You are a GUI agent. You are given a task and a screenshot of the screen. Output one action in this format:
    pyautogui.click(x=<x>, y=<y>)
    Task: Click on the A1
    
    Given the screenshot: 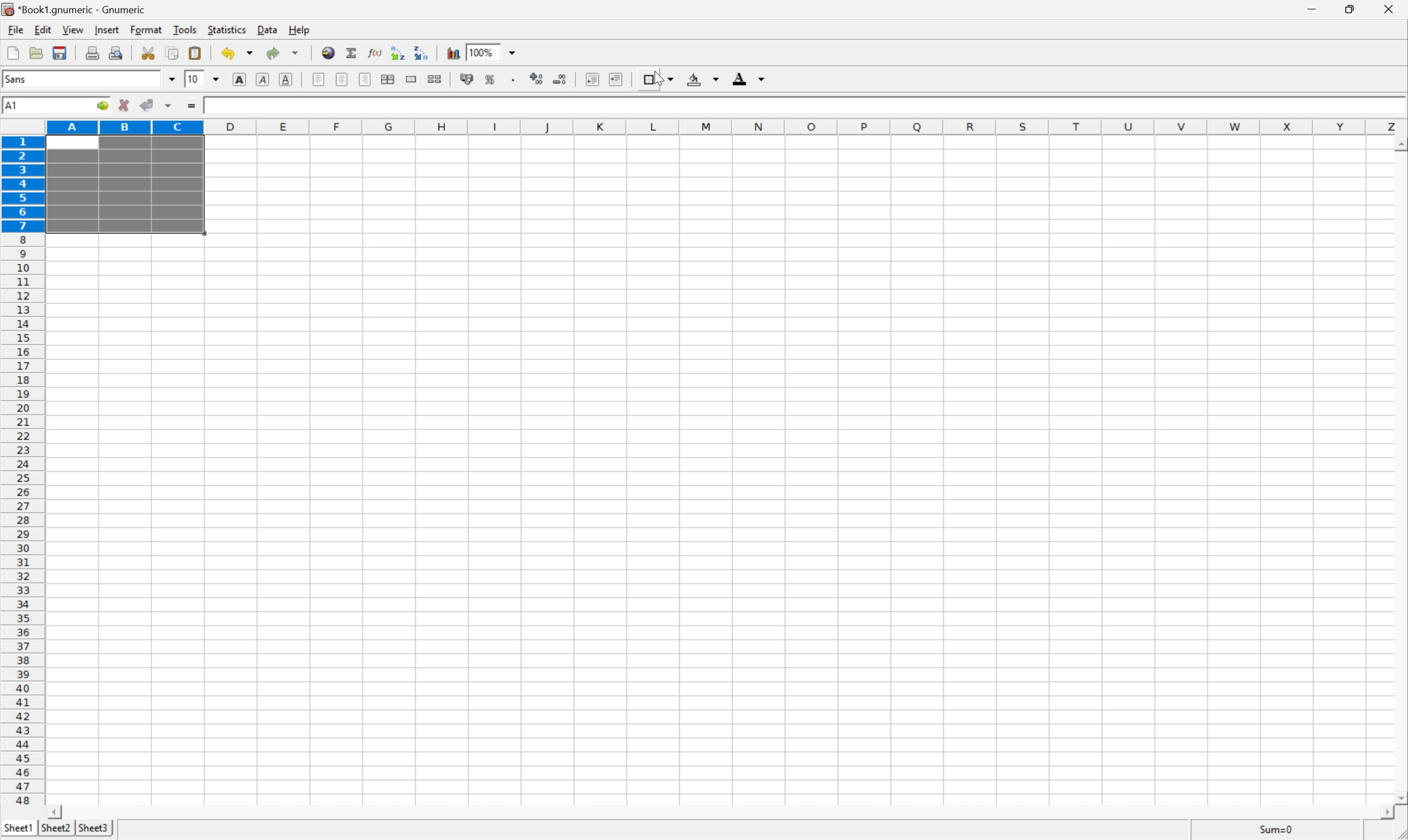 What is the action you would take?
    pyautogui.click(x=43, y=105)
    